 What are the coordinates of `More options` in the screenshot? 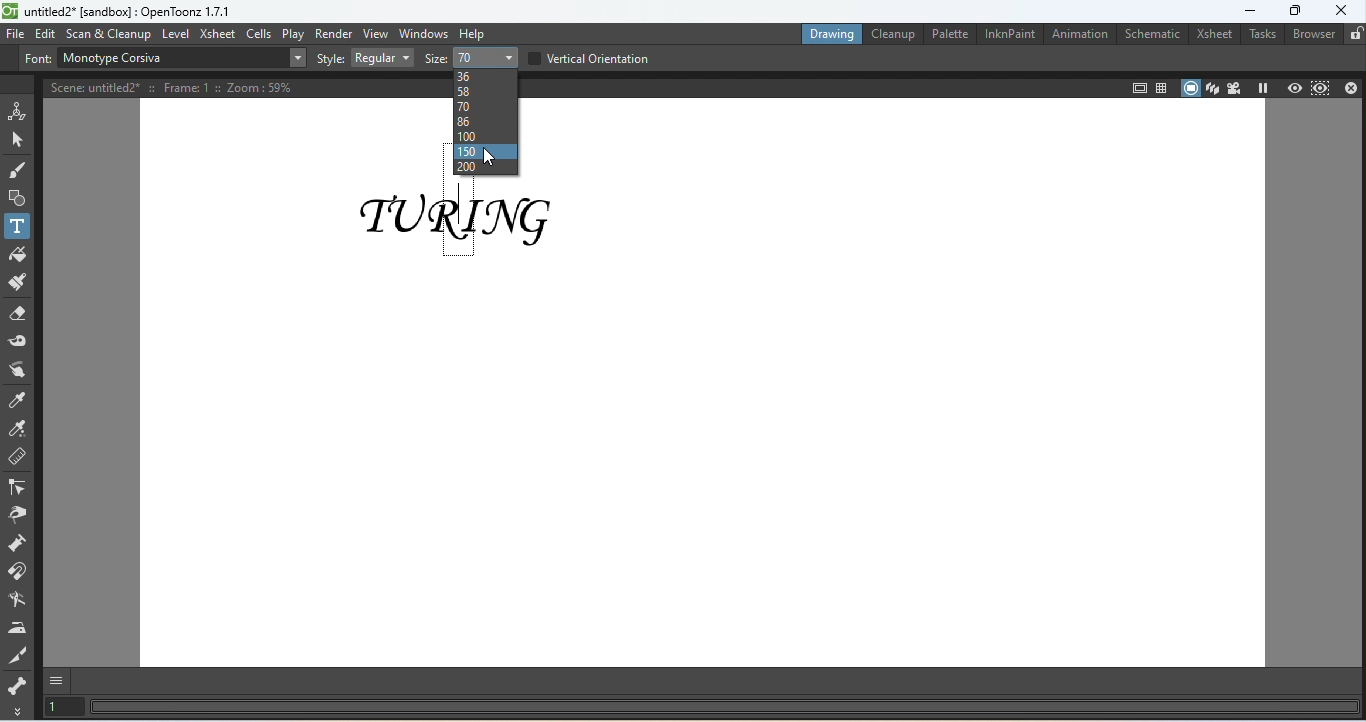 It's located at (19, 711).